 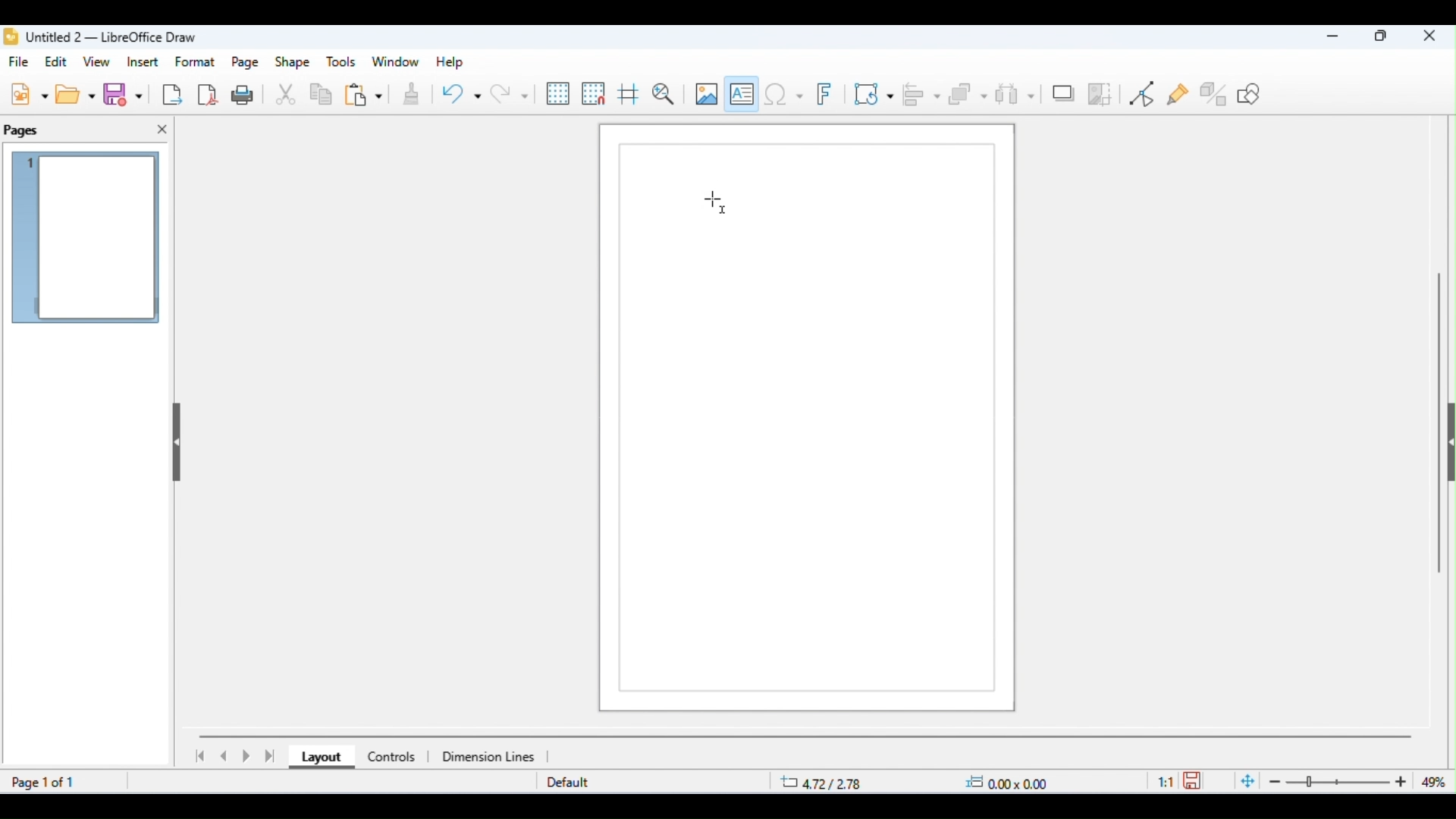 What do you see at coordinates (664, 94) in the screenshot?
I see `zoom and pan` at bounding box center [664, 94].